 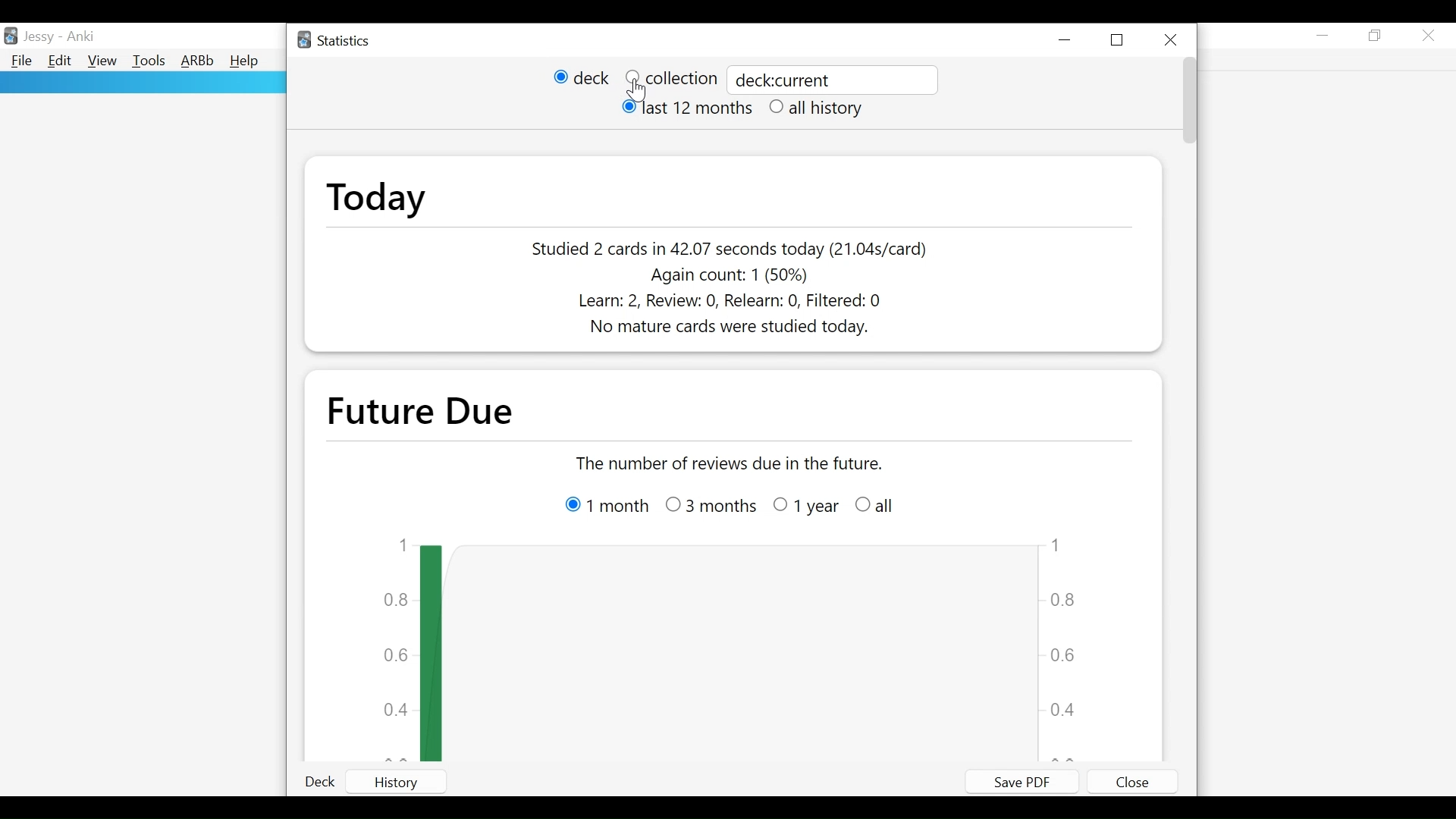 What do you see at coordinates (12, 35) in the screenshot?
I see `Anki Desktop Icon` at bounding box center [12, 35].